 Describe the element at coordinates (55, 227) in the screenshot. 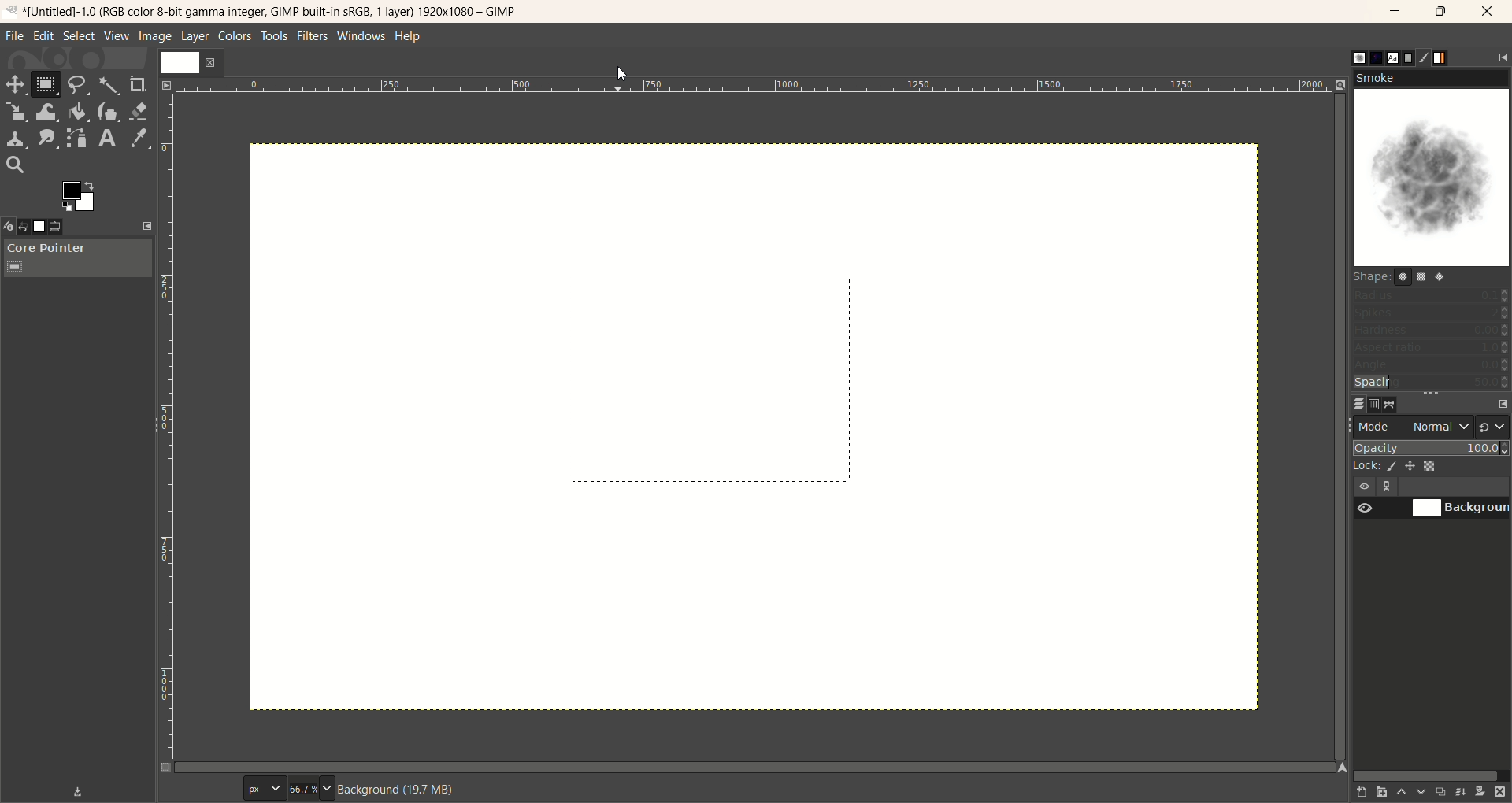

I see `tool options` at that location.